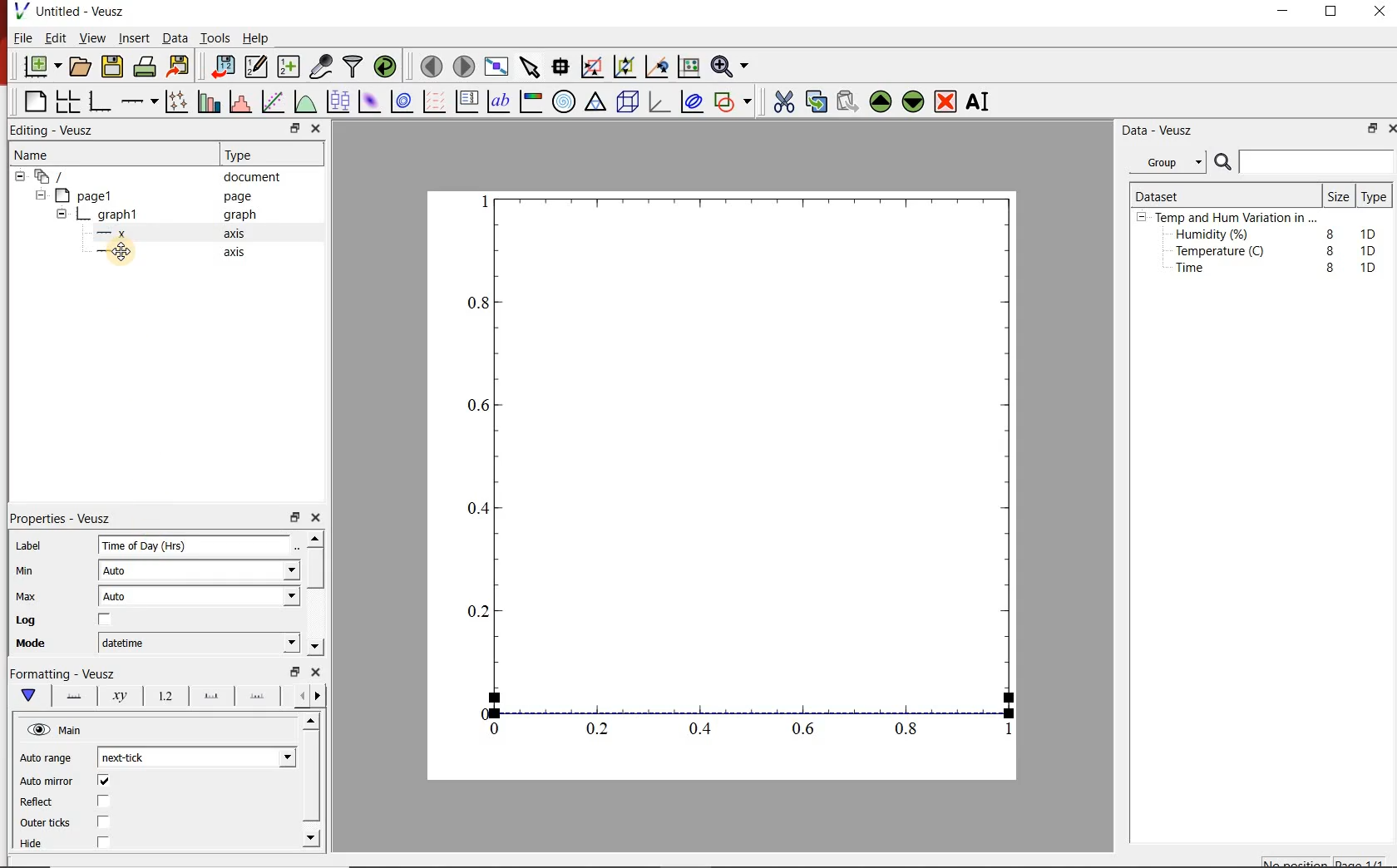  I want to click on Graph, so click(758, 451).